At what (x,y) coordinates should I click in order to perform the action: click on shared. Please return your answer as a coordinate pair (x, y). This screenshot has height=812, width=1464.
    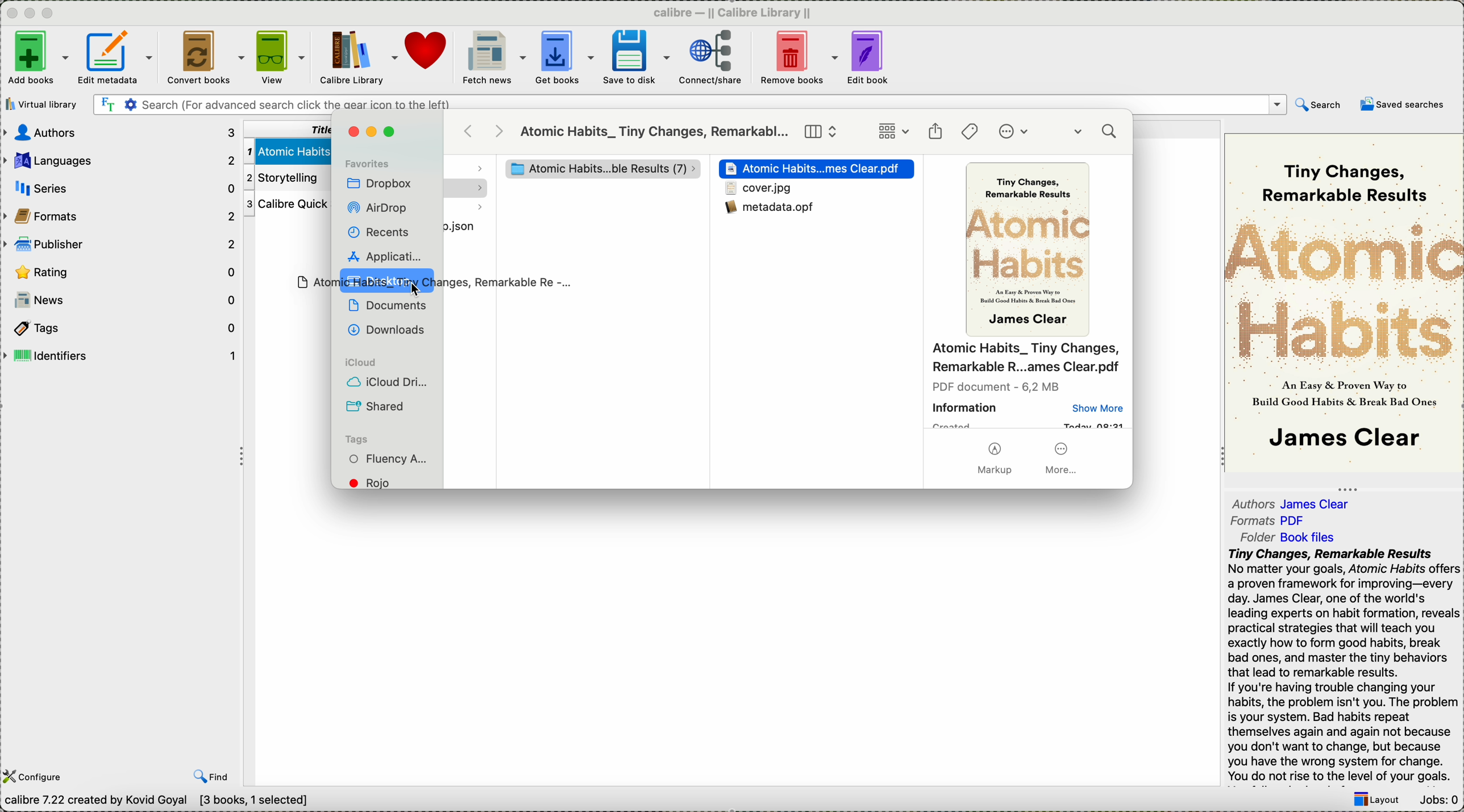
    Looking at the image, I should click on (377, 406).